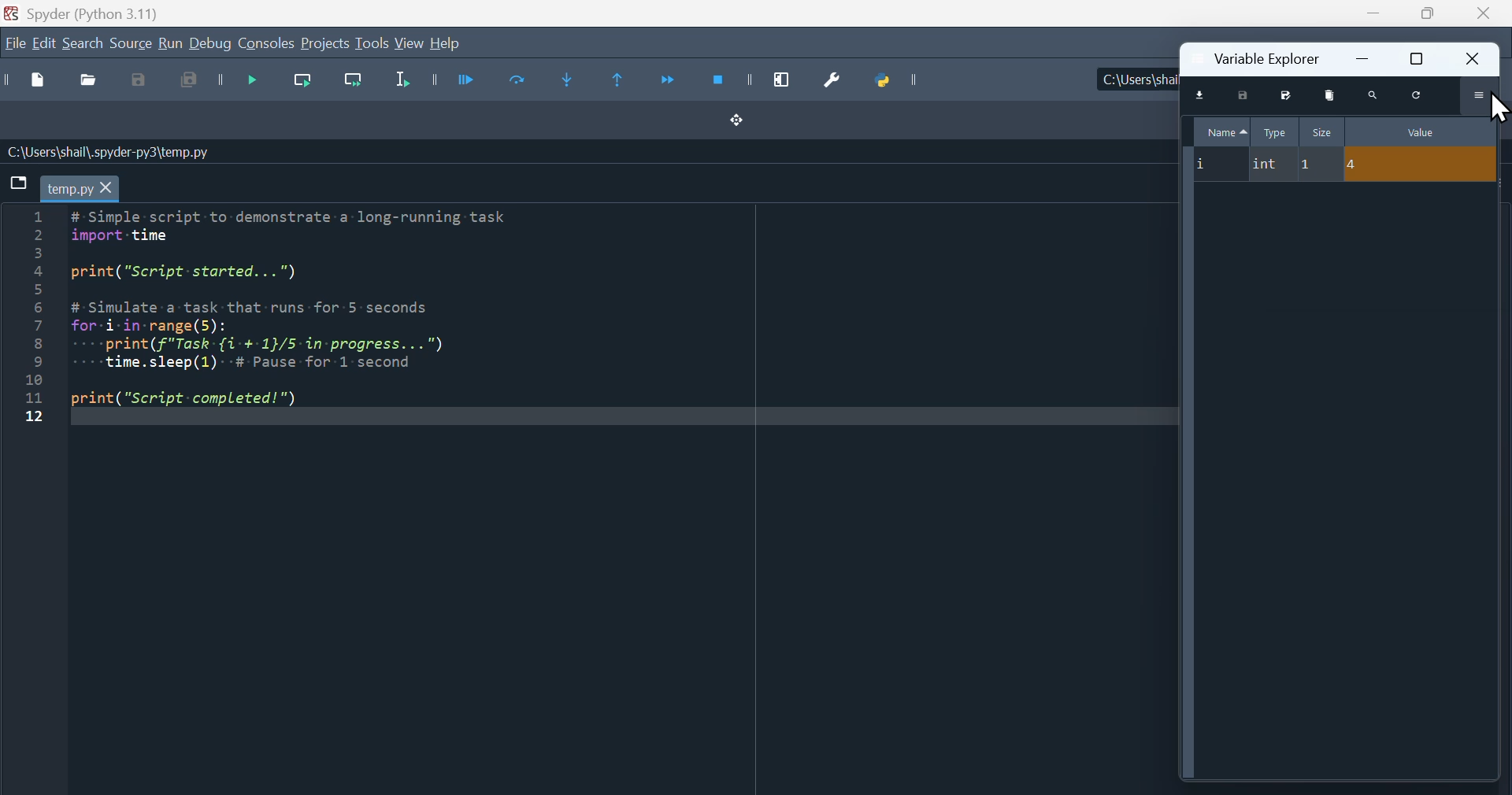  What do you see at coordinates (898, 79) in the screenshot?
I see `Python path manager` at bounding box center [898, 79].